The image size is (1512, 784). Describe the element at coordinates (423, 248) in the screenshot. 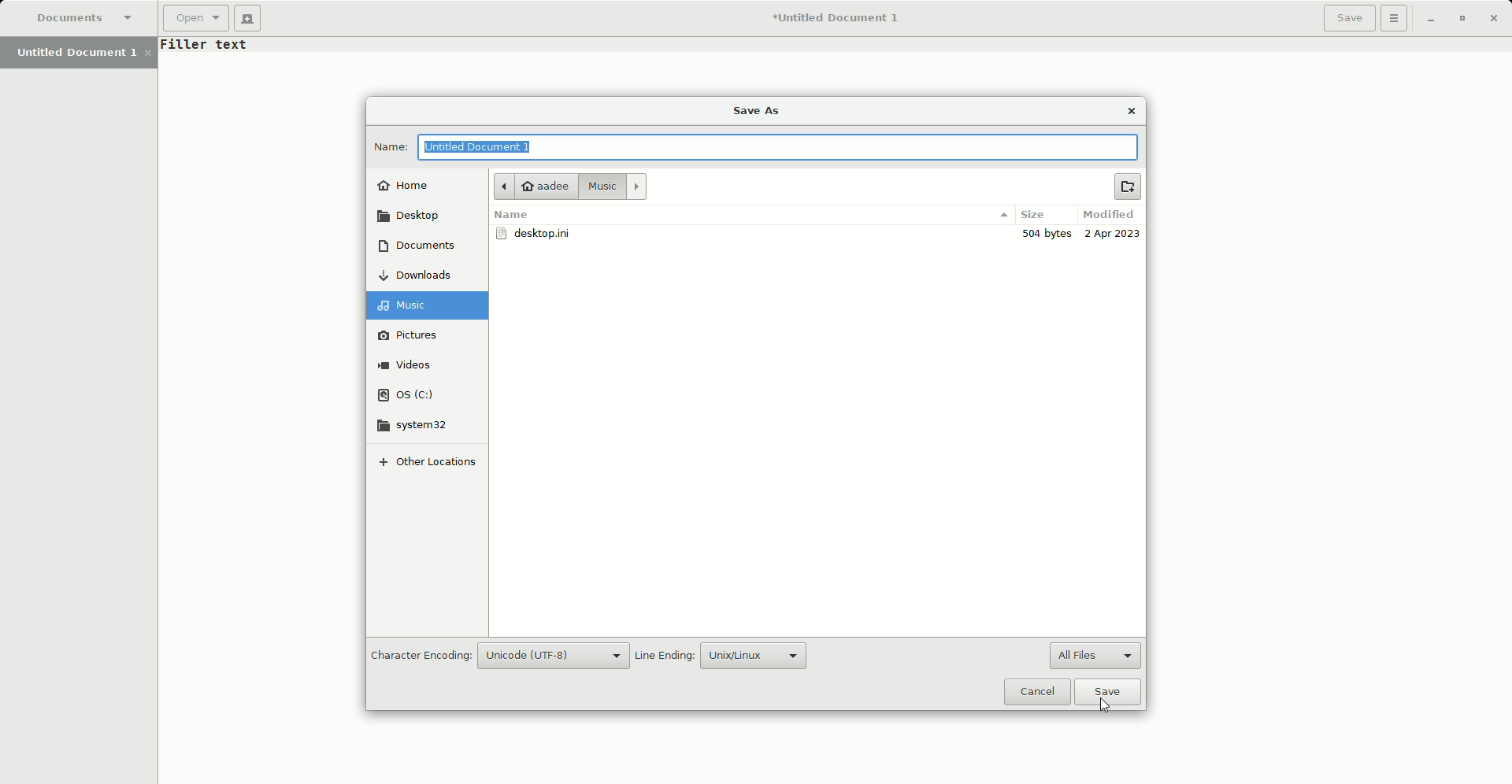

I see `Documents` at that location.